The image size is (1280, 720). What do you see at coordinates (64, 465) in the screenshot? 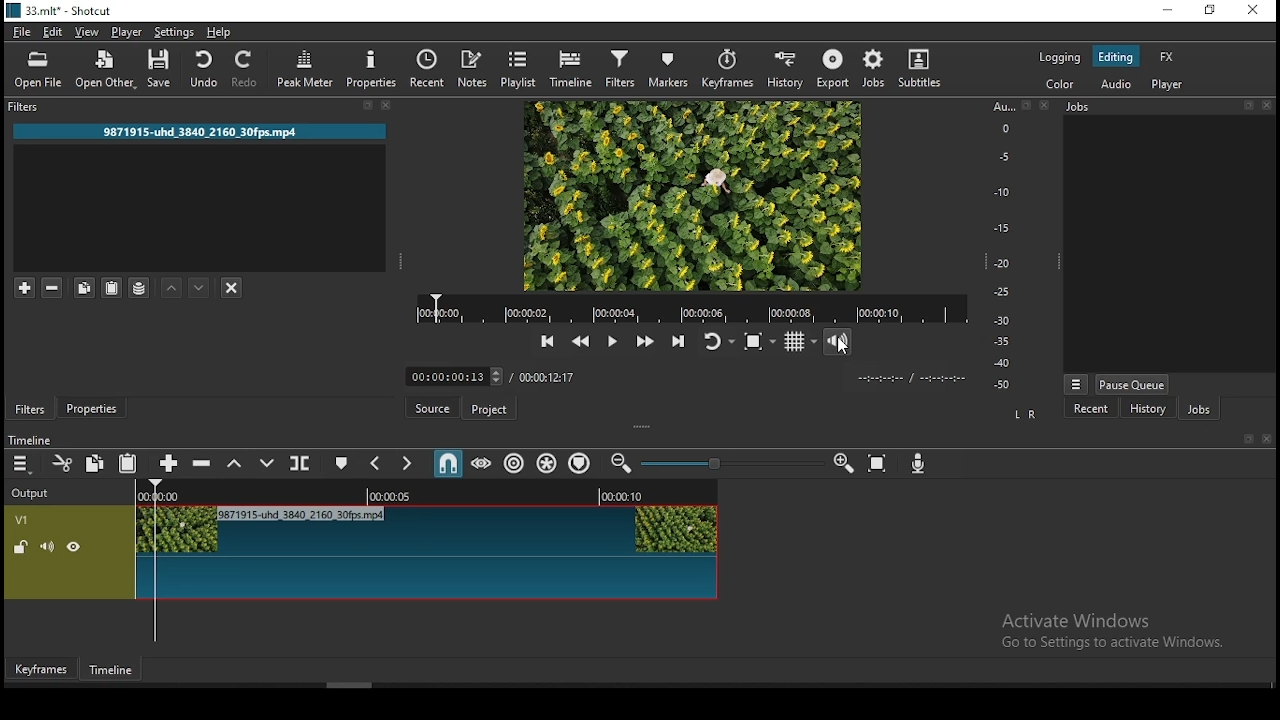
I see `cut` at bounding box center [64, 465].